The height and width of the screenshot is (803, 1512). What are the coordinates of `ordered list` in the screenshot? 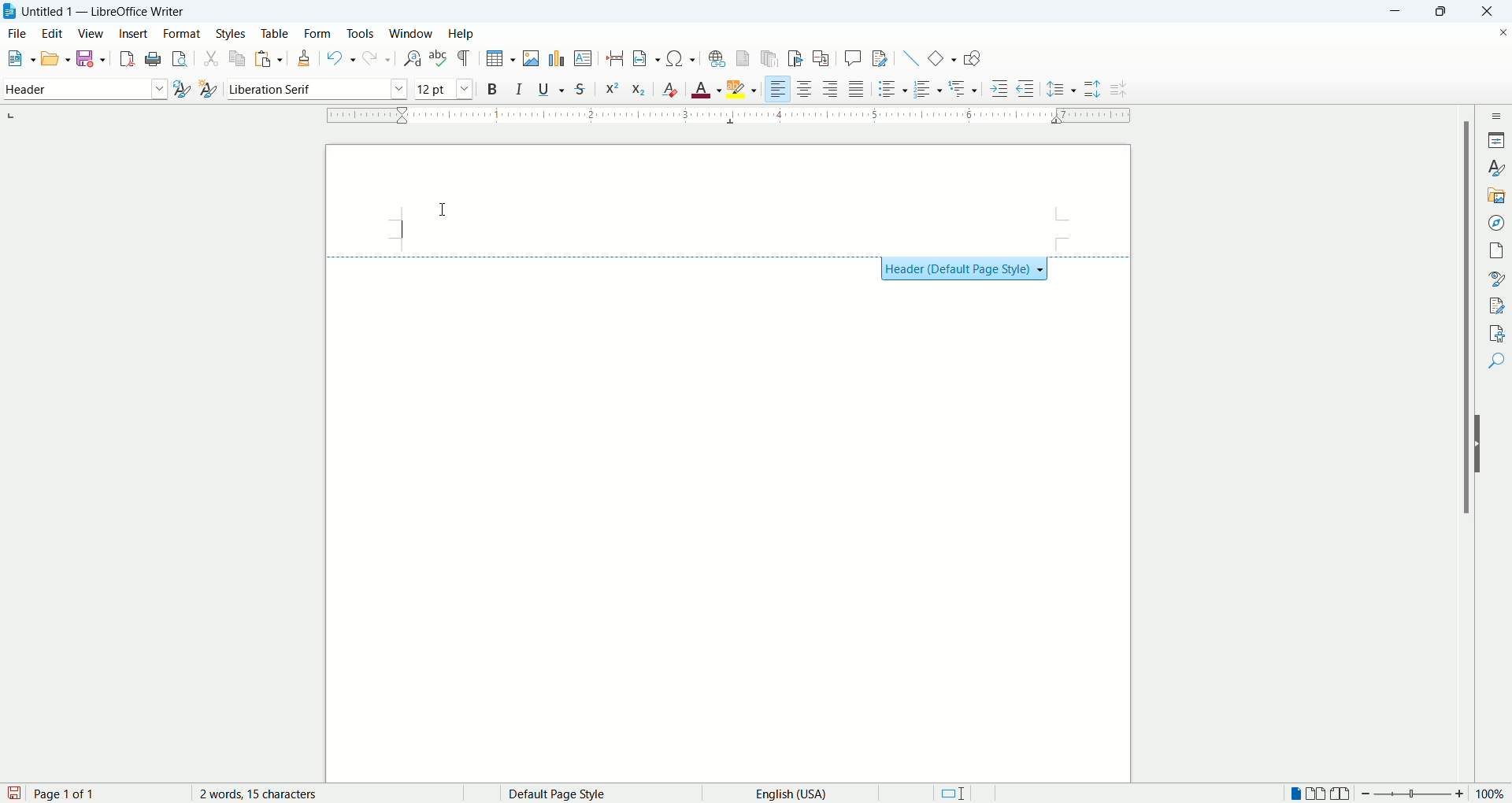 It's located at (927, 89).